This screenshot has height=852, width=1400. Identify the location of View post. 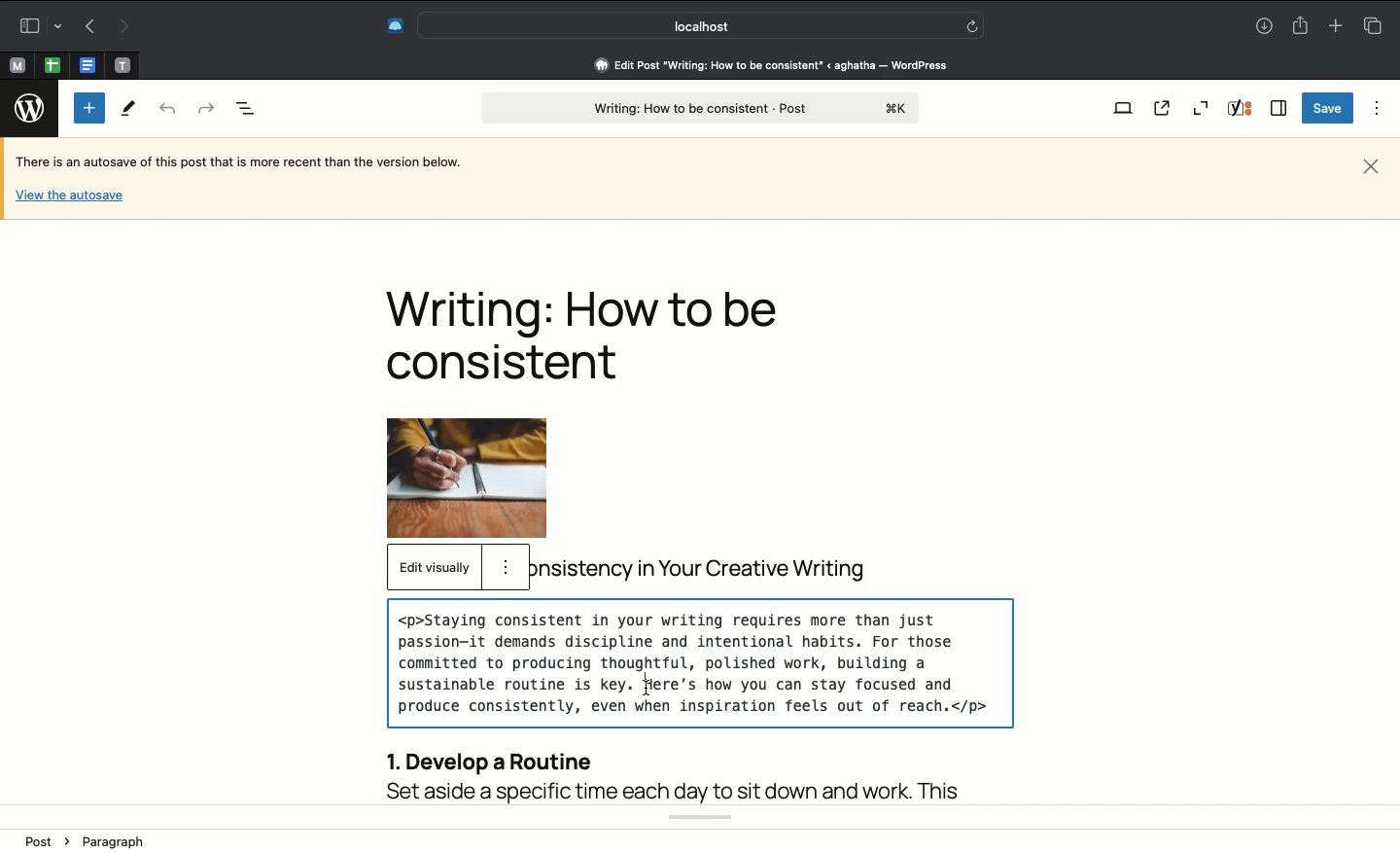
(1166, 109).